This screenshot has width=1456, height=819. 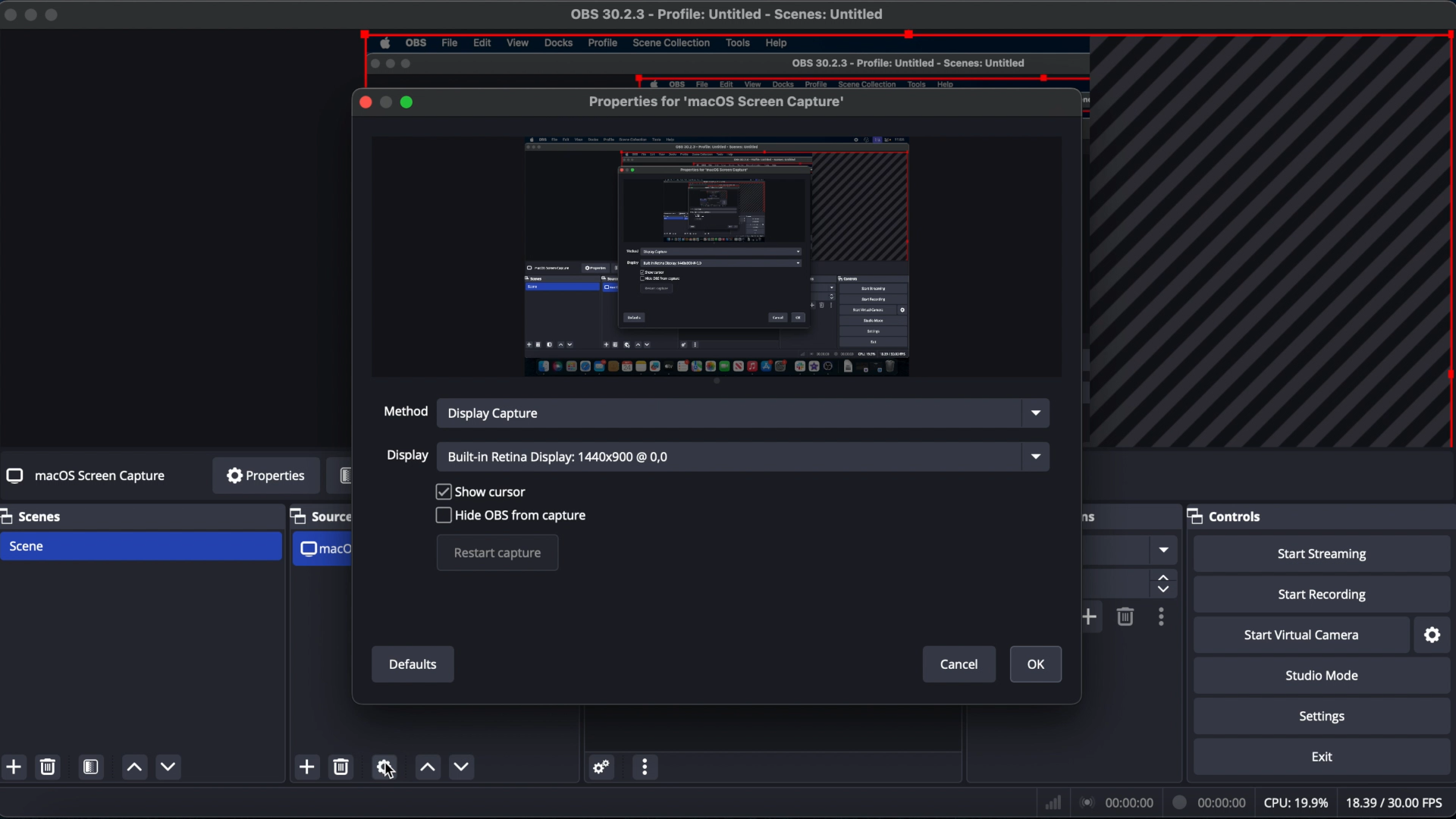 I want to click on CPU usage, so click(x=1297, y=802).